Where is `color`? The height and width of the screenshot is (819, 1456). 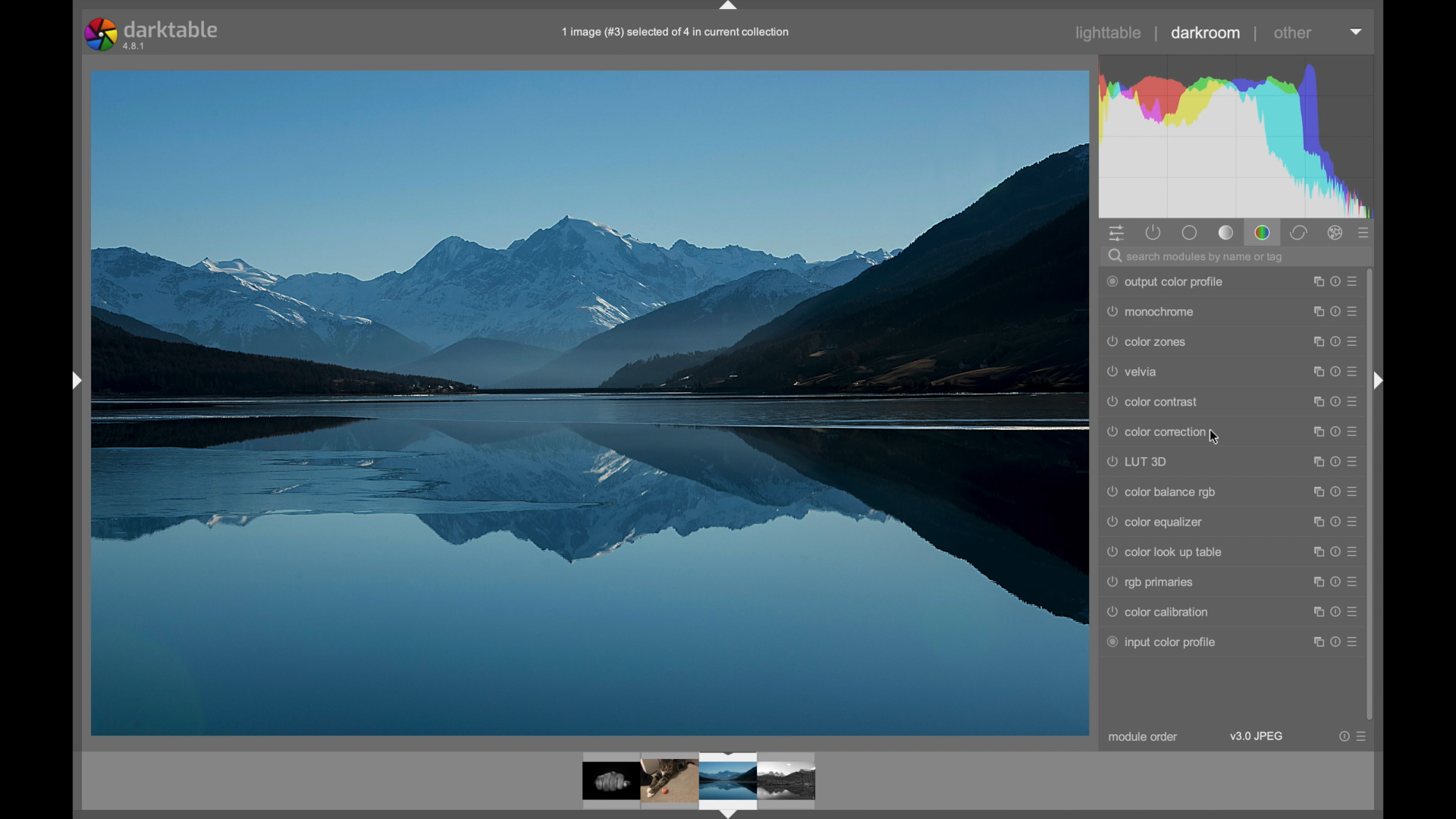
color is located at coordinates (1263, 232).